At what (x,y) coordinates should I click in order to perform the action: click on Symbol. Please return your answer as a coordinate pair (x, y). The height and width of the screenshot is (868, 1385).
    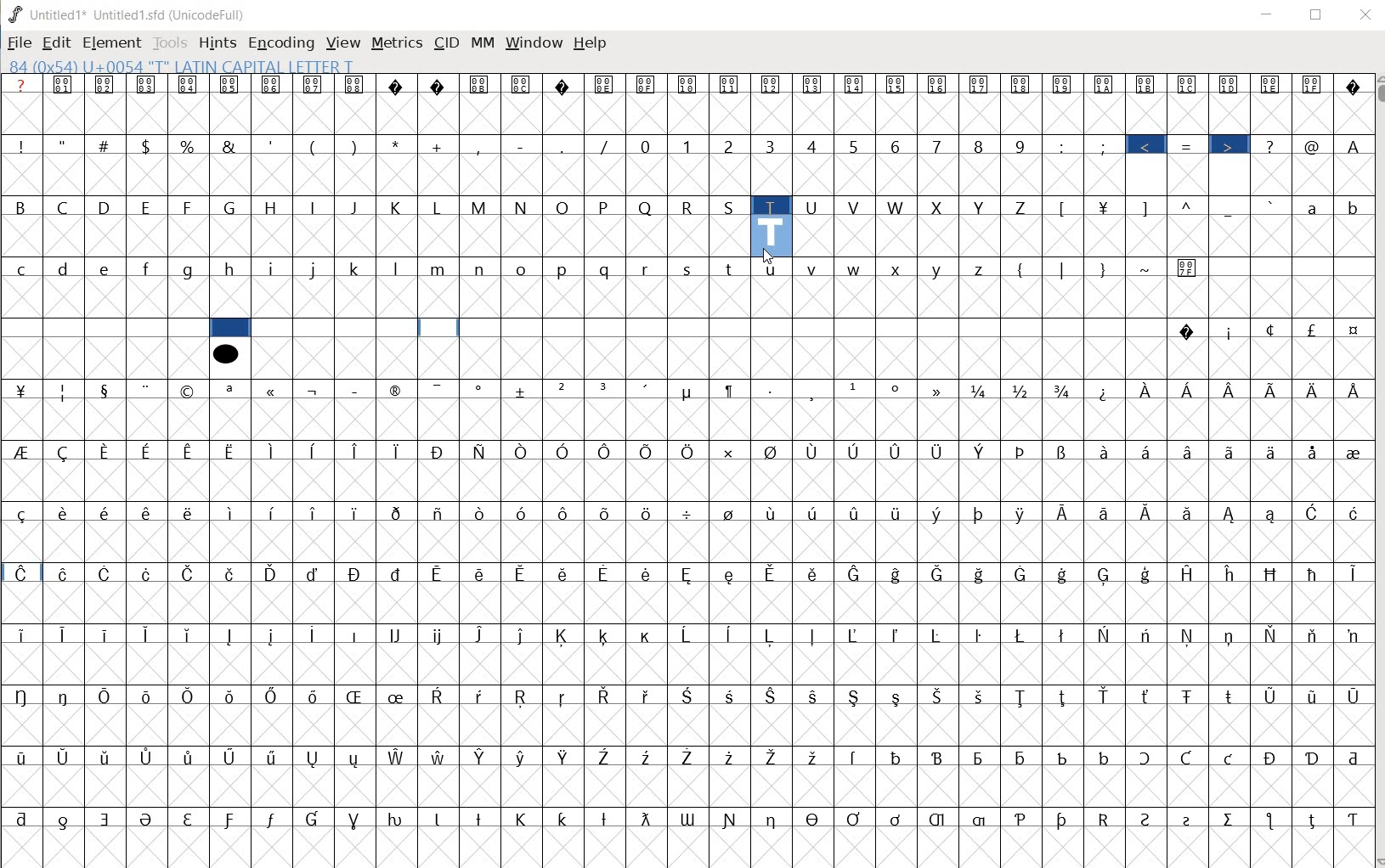
    Looking at the image, I should click on (1065, 574).